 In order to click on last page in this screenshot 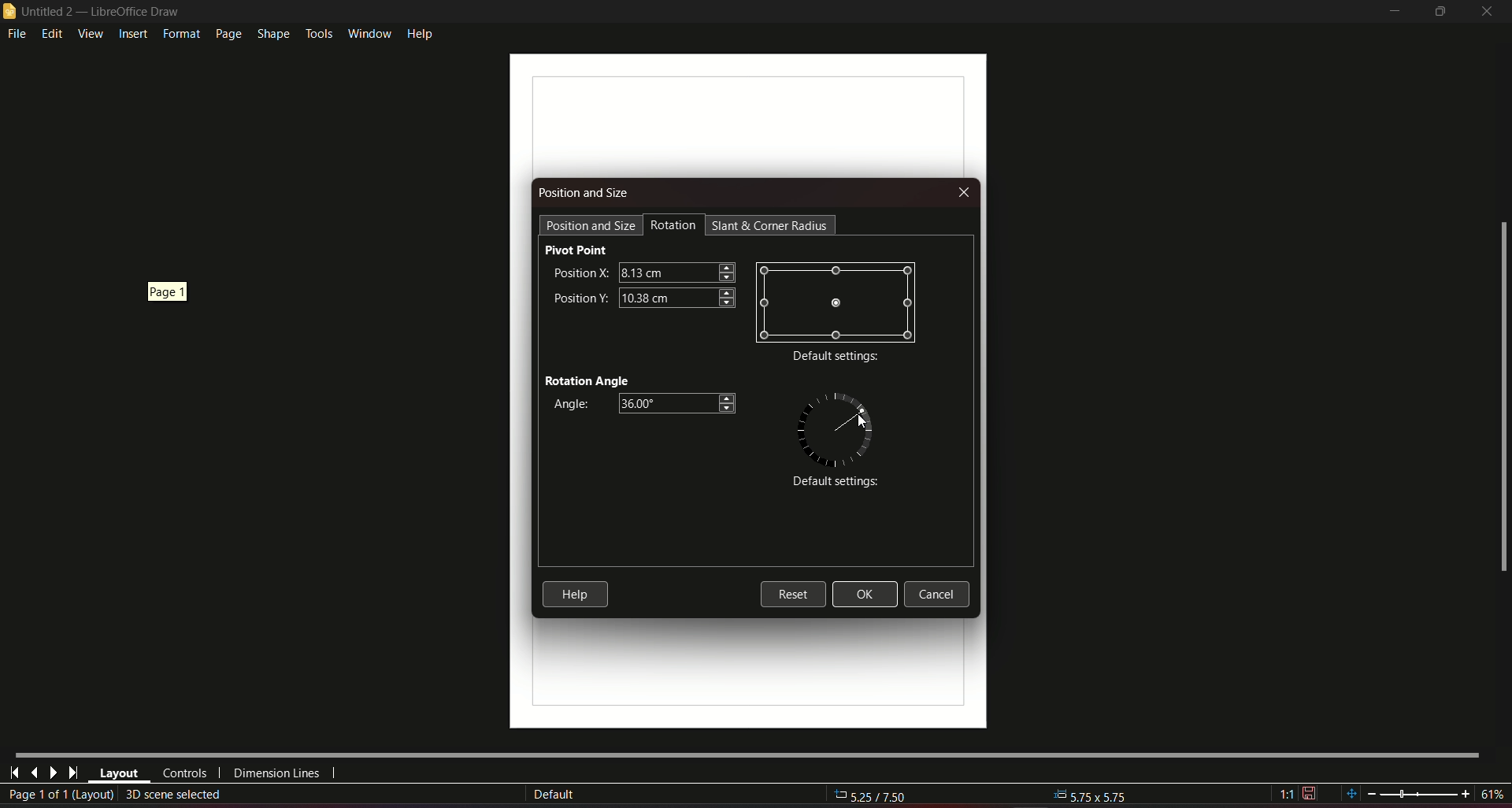, I will do `click(34, 772)`.